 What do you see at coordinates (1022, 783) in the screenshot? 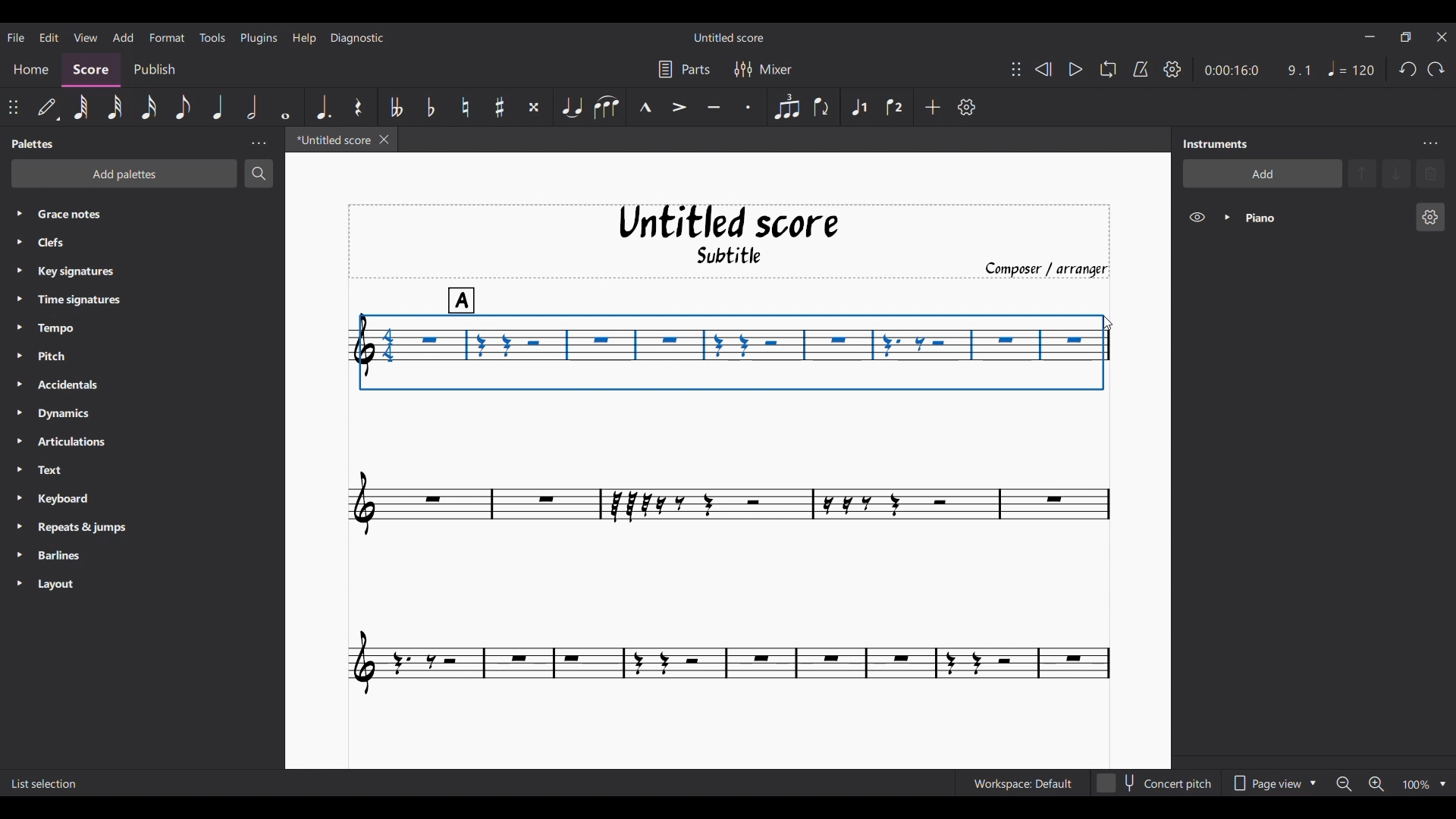
I see `Current workspace settings` at bounding box center [1022, 783].